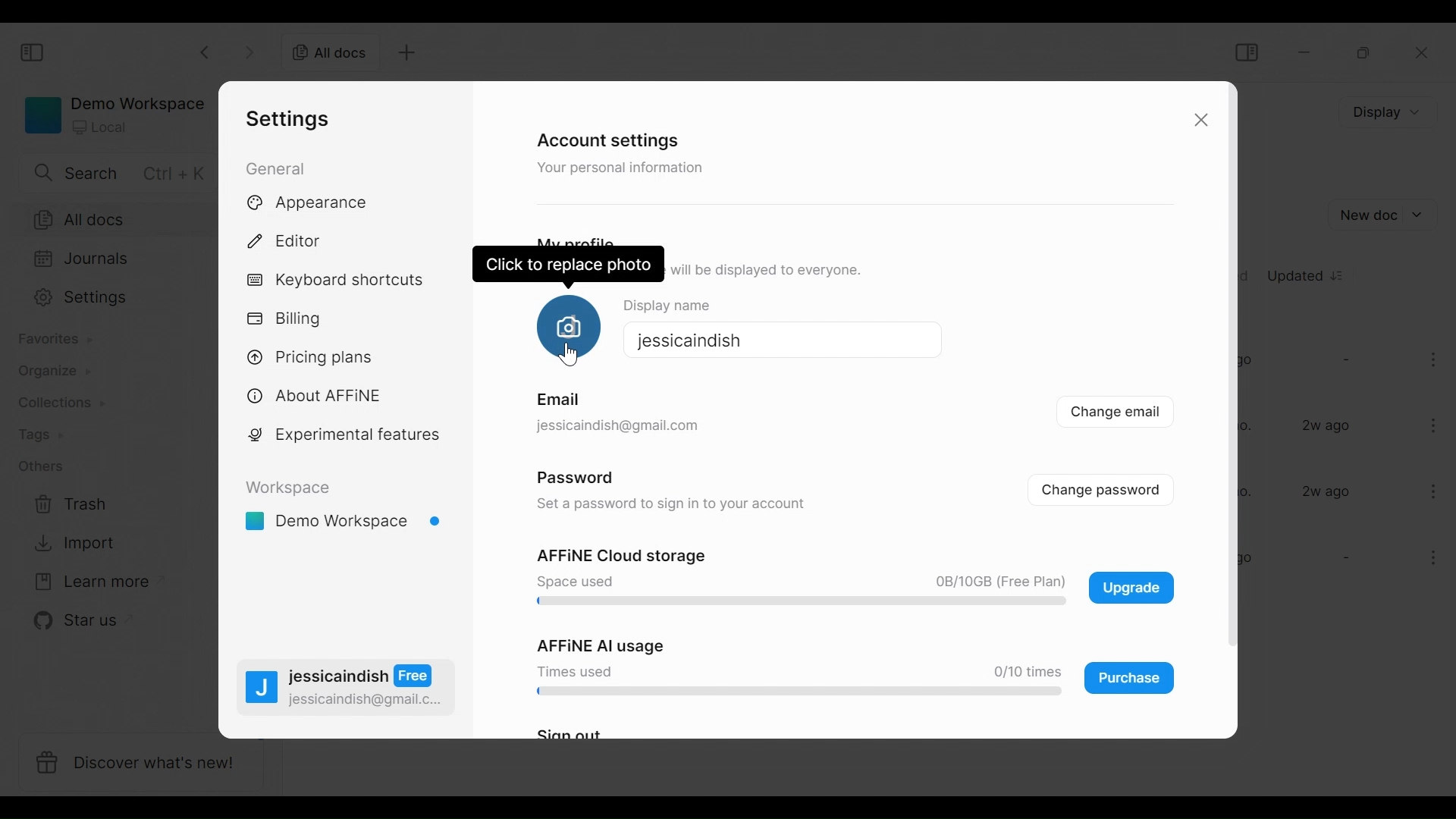 Image resolution: width=1456 pixels, height=819 pixels. What do you see at coordinates (575, 357) in the screenshot?
I see `cursor` at bounding box center [575, 357].